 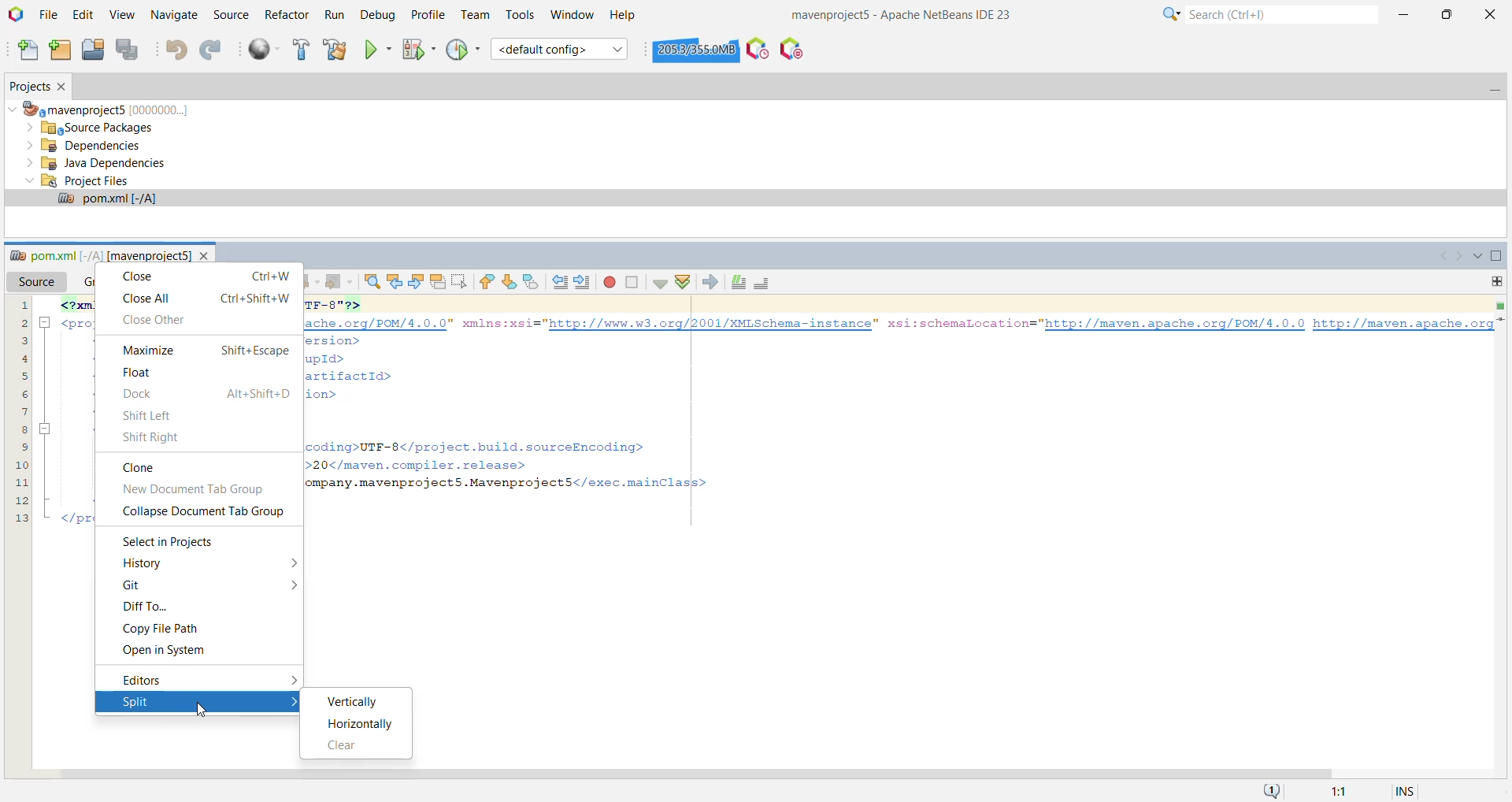 What do you see at coordinates (135, 586) in the screenshot?
I see `Git` at bounding box center [135, 586].